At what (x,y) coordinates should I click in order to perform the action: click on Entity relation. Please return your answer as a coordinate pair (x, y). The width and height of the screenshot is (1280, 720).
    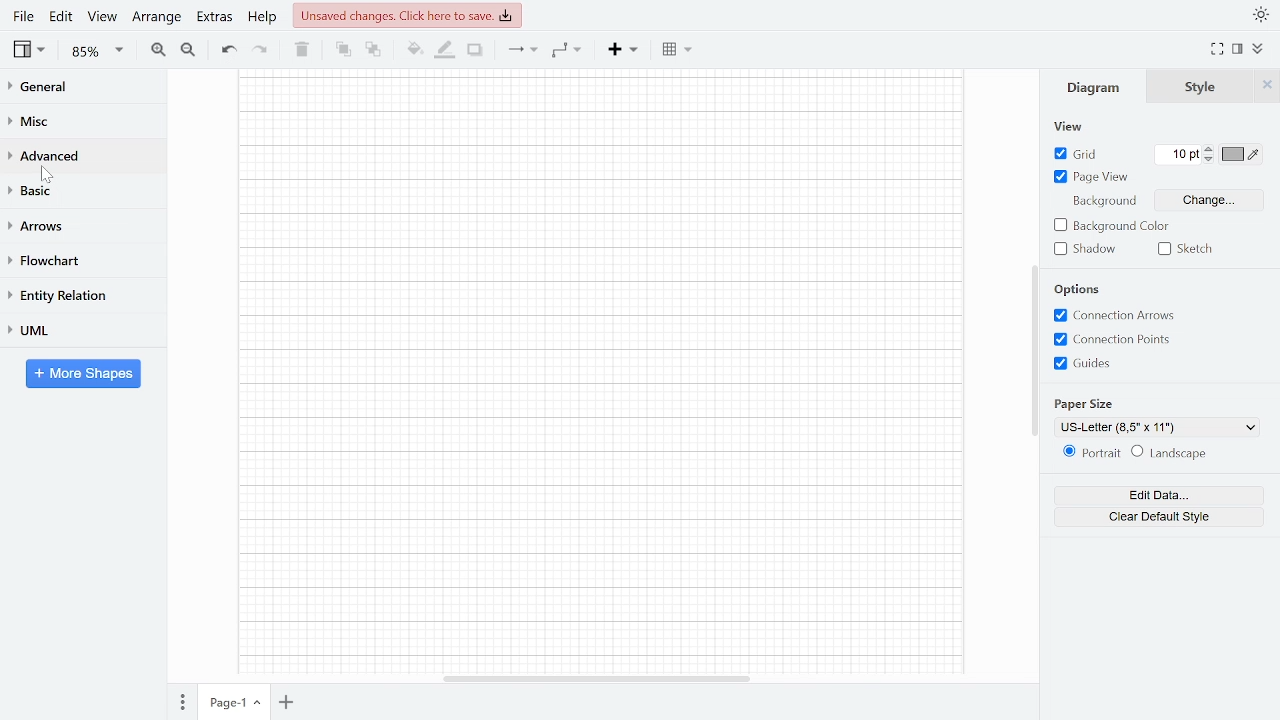
    Looking at the image, I should click on (81, 296).